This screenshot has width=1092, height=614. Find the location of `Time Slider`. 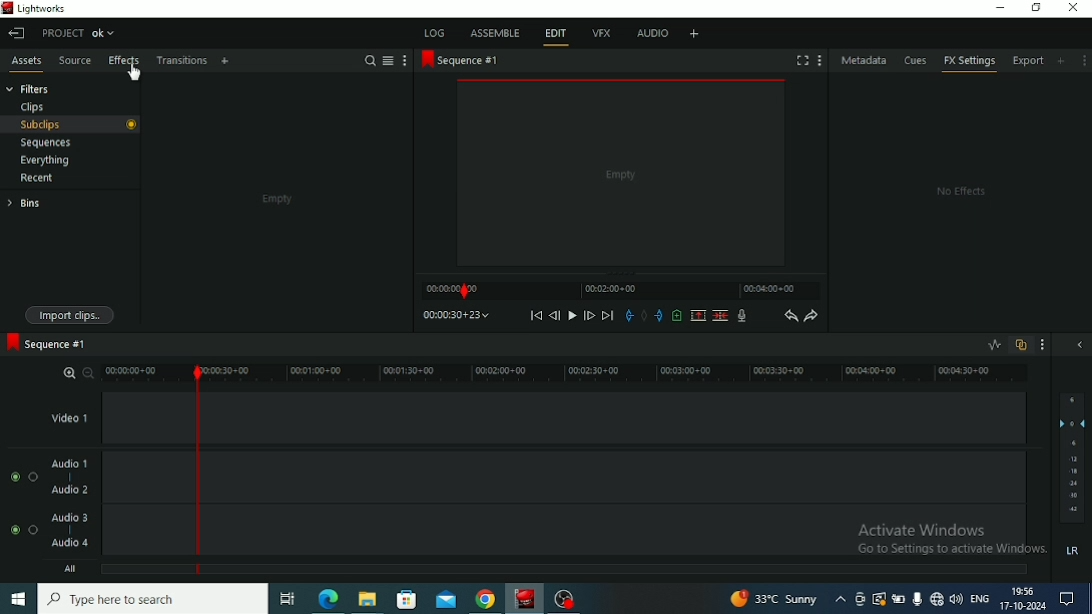

Time Slider is located at coordinates (620, 290).